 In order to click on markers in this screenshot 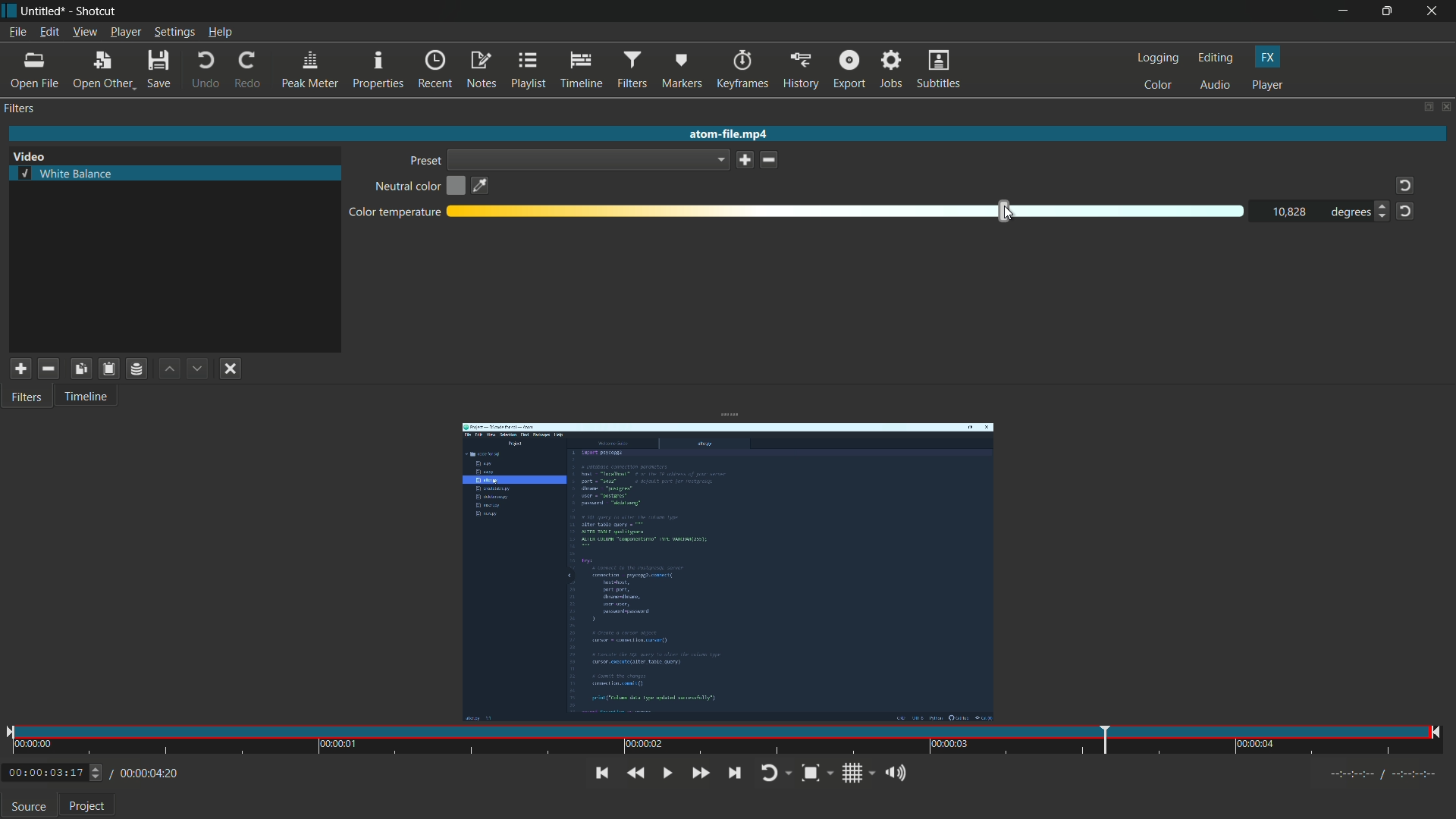, I will do `click(682, 70)`.